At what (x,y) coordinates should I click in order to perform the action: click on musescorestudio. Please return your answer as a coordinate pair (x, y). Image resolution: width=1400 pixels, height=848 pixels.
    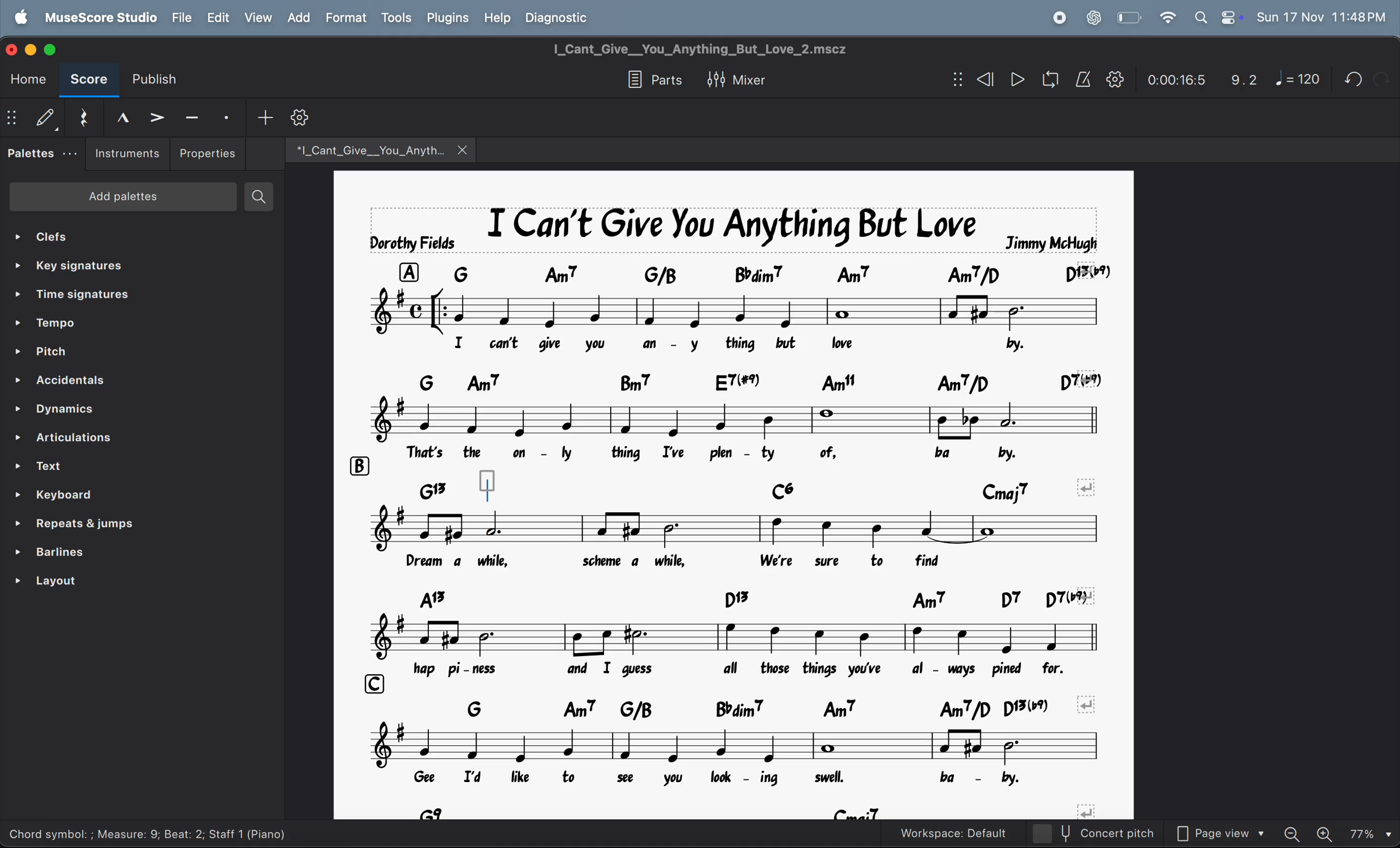
    Looking at the image, I should click on (100, 18).